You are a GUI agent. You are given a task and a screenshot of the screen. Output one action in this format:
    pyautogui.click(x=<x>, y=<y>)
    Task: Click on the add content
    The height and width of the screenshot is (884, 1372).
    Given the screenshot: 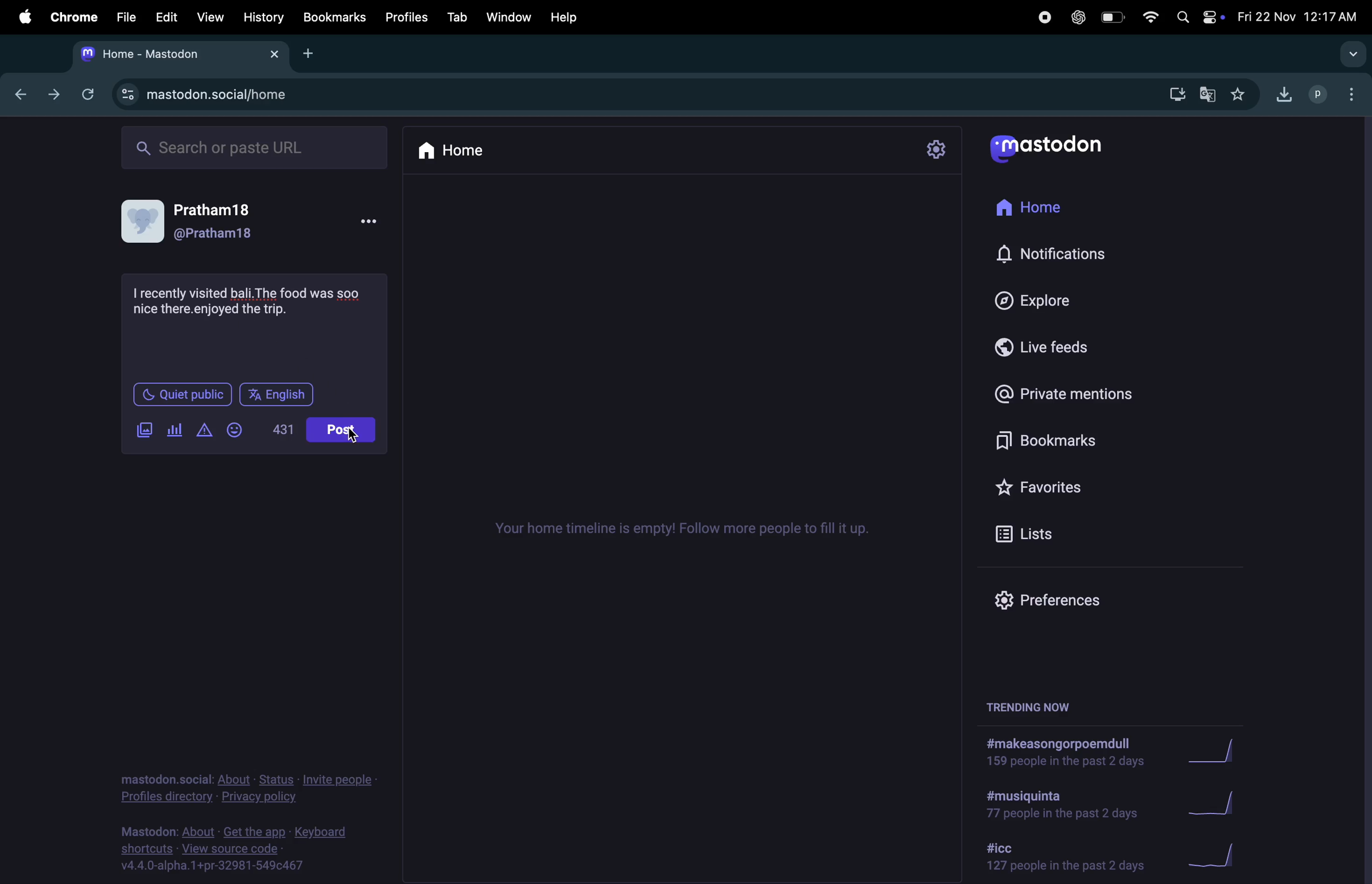 What is the action you would take?
    pyautogui.click(x=200, y=430)
    